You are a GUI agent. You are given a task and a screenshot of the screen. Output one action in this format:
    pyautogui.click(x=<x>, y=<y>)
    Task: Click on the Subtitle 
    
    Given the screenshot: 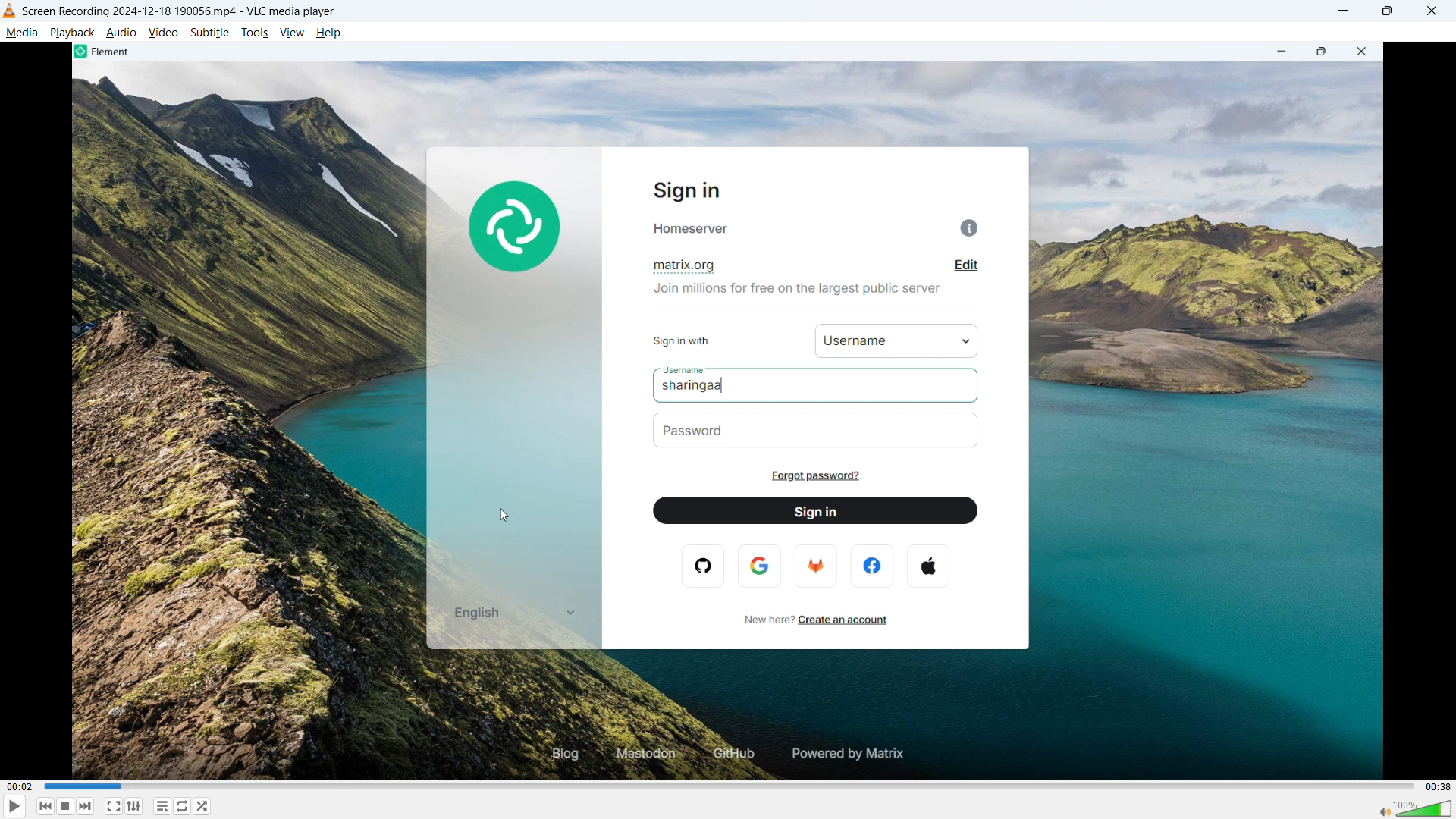 What is the action you would take?
    pyautogui.click(x=209, y=33)
    